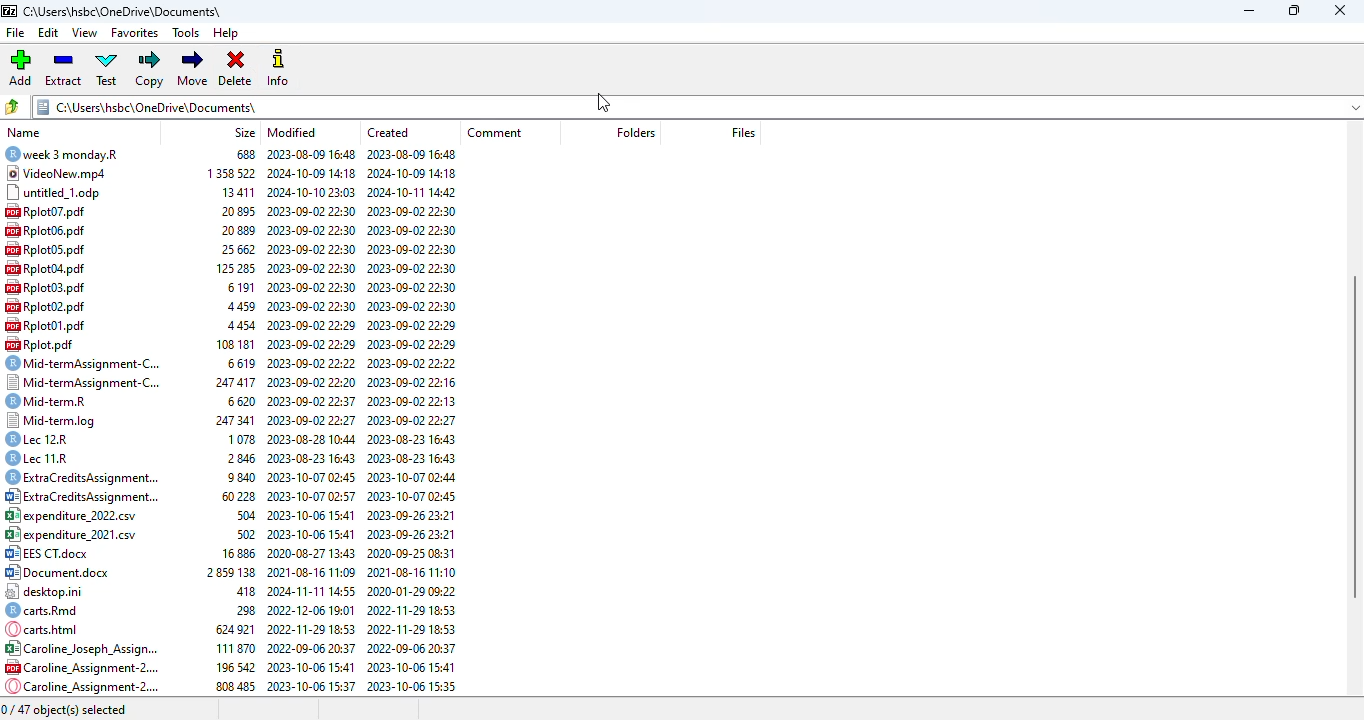 The width and height of the screenshot is (1364, 720). Describe the element at coordinates (43, 631) in the screenshot. I see `carts.html` at that location.